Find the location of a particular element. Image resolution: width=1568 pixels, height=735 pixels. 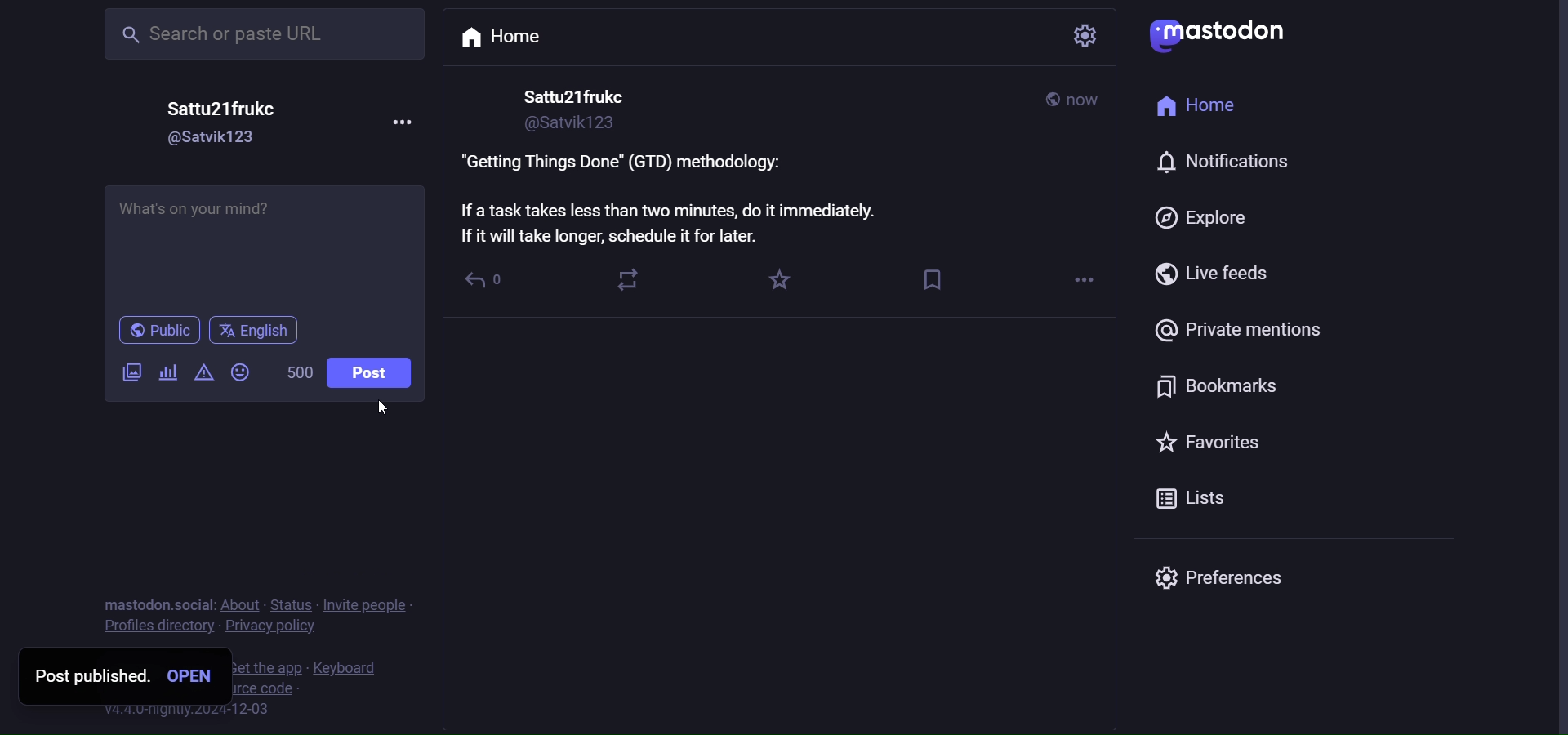

language is located at coordinates (255, 332).